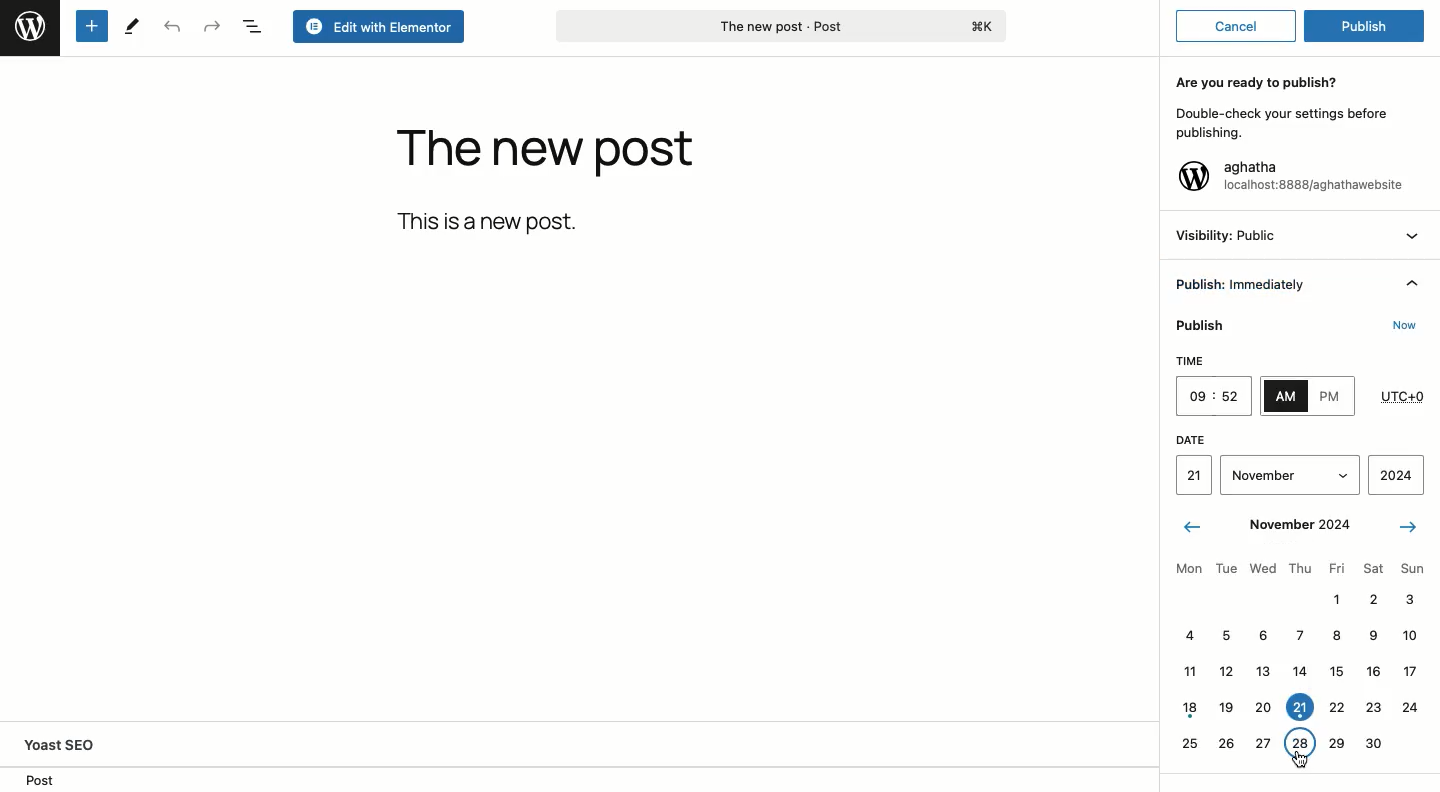  What do you see at coordinates (92, 26) in the screenshot?
I see `Add new block` at bounding box center [92, 26].